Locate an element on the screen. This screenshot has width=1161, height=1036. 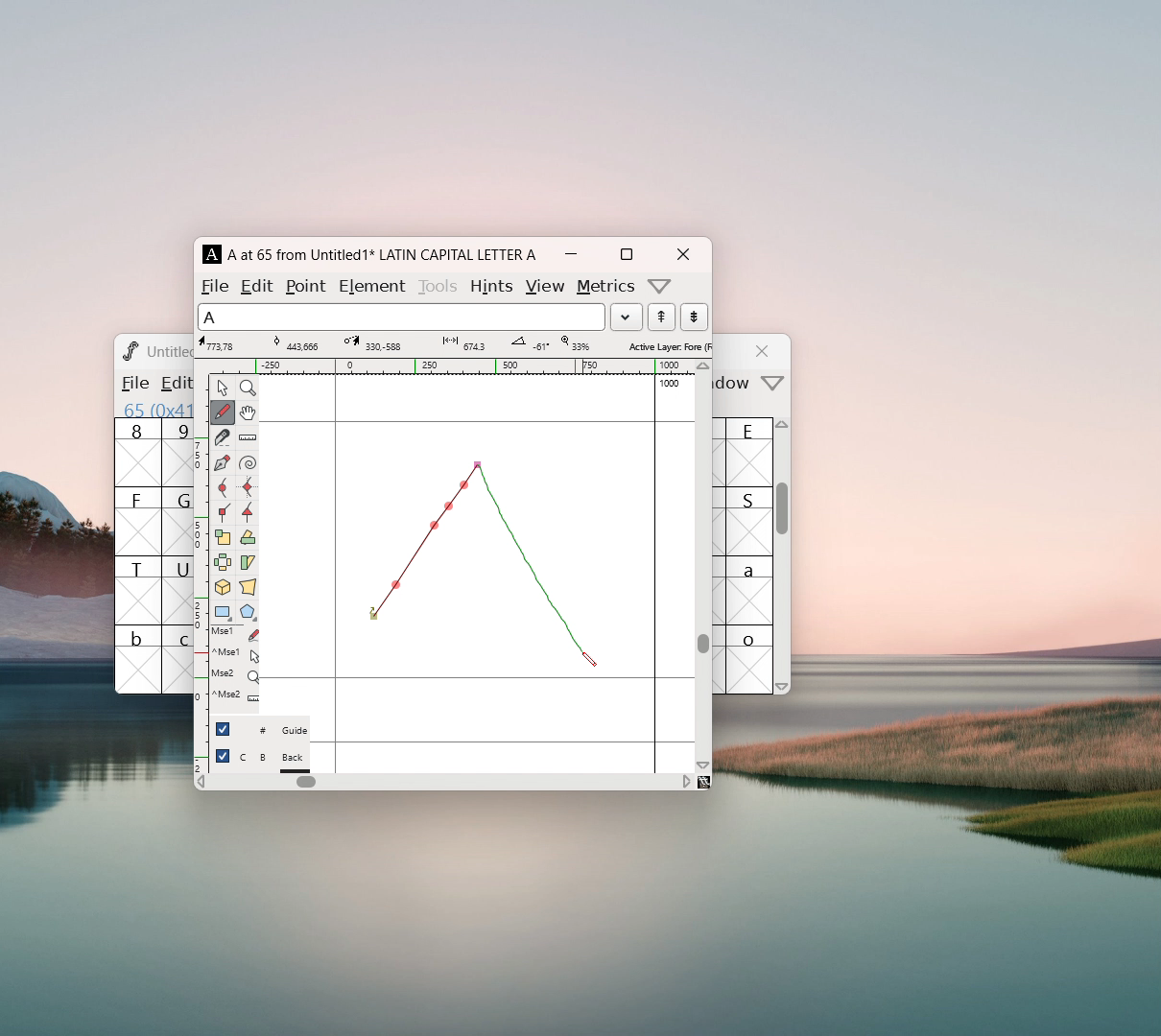
^Mse2 is located at coordinates (236, 653).